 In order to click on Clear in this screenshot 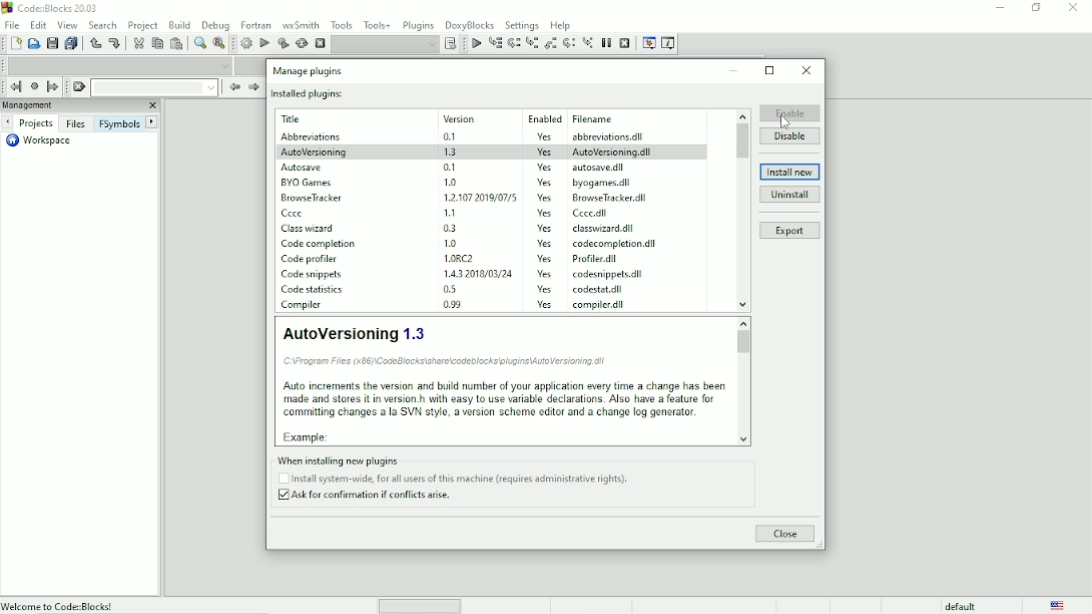, I will do `click(79, 87)`.